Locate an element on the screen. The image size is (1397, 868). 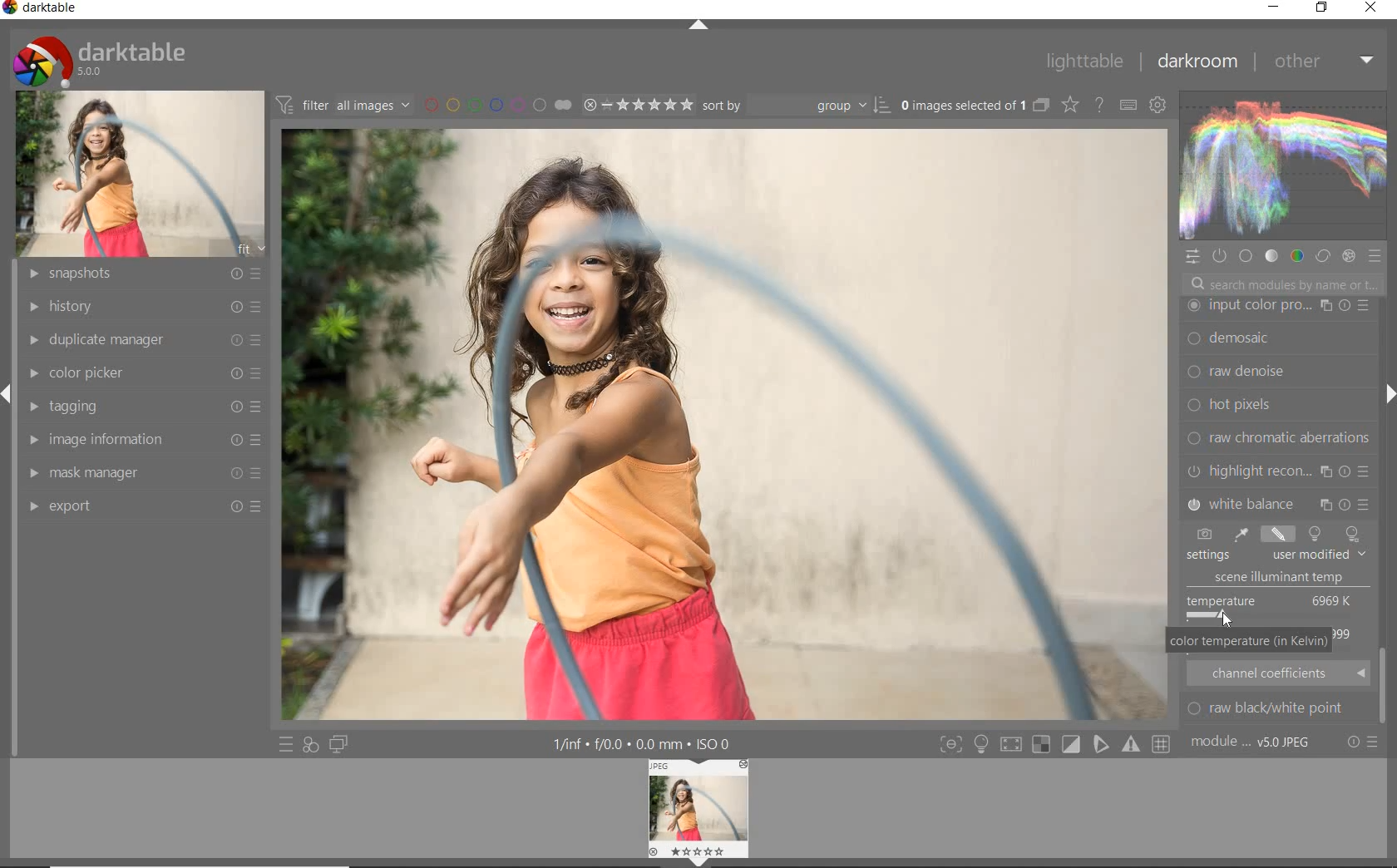
ROW BLACK/WHITE POINT is located at coordinates (1276, 708).